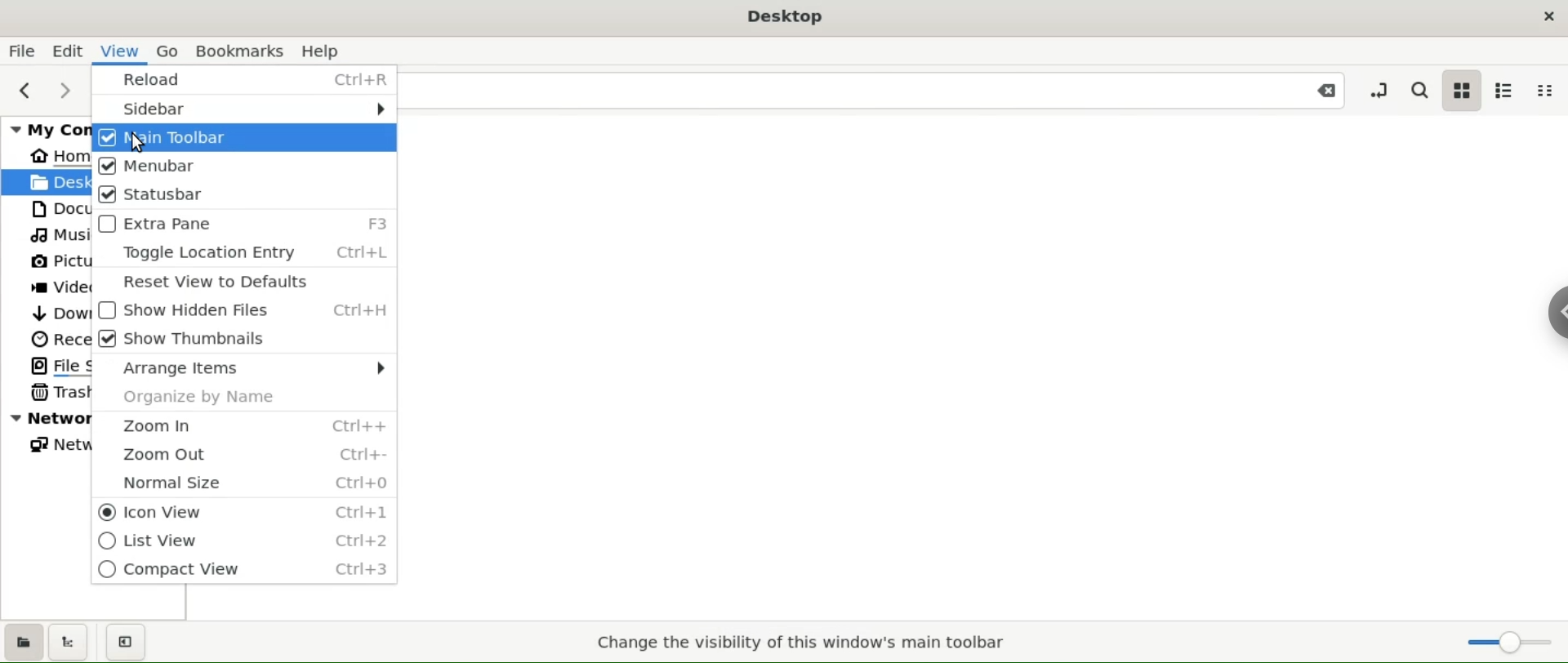  Describe the element at coordinates (25, 641) in the screenshot. I see `show places` at that location.